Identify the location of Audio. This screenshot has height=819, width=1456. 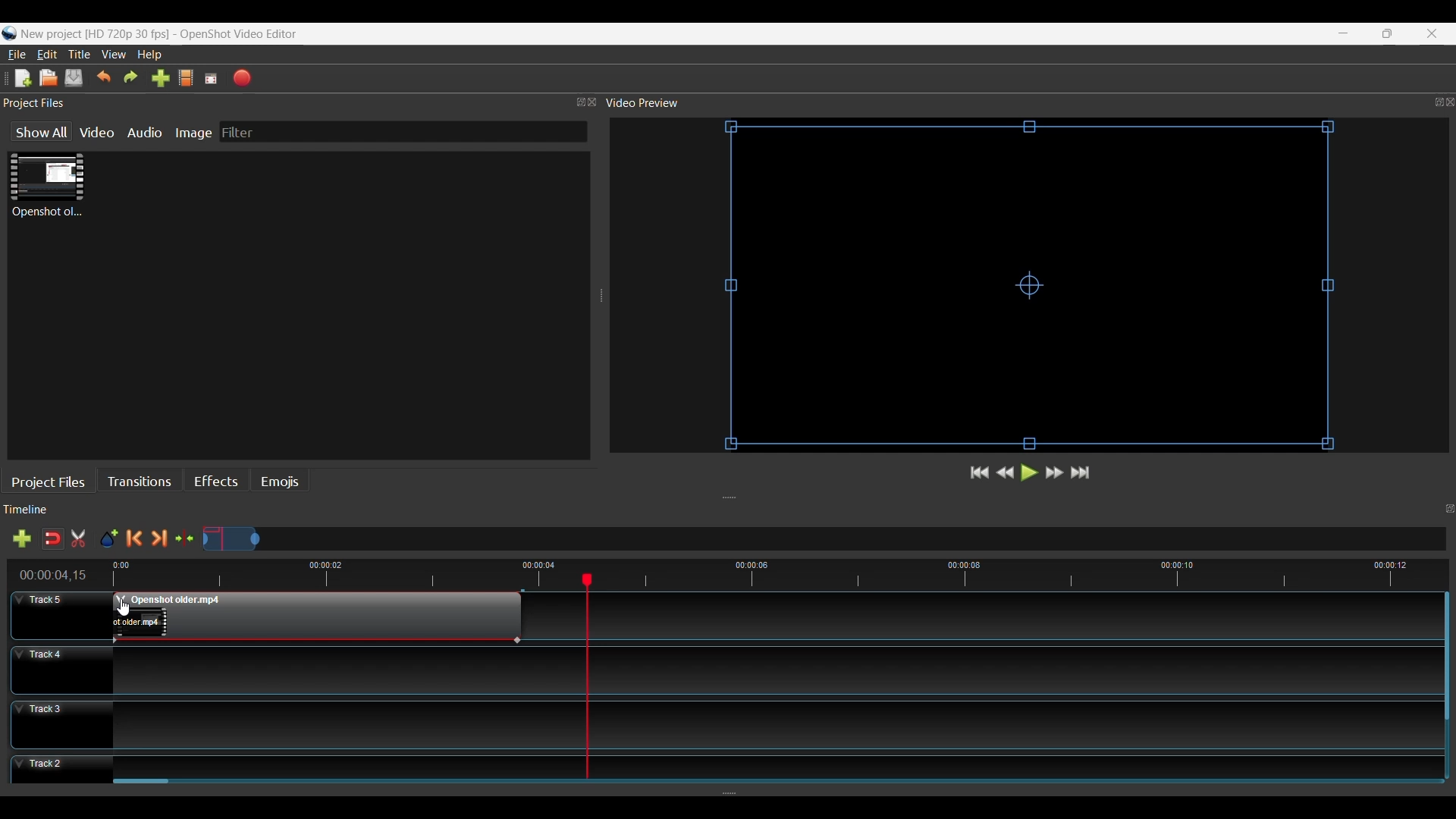
(147, 132).